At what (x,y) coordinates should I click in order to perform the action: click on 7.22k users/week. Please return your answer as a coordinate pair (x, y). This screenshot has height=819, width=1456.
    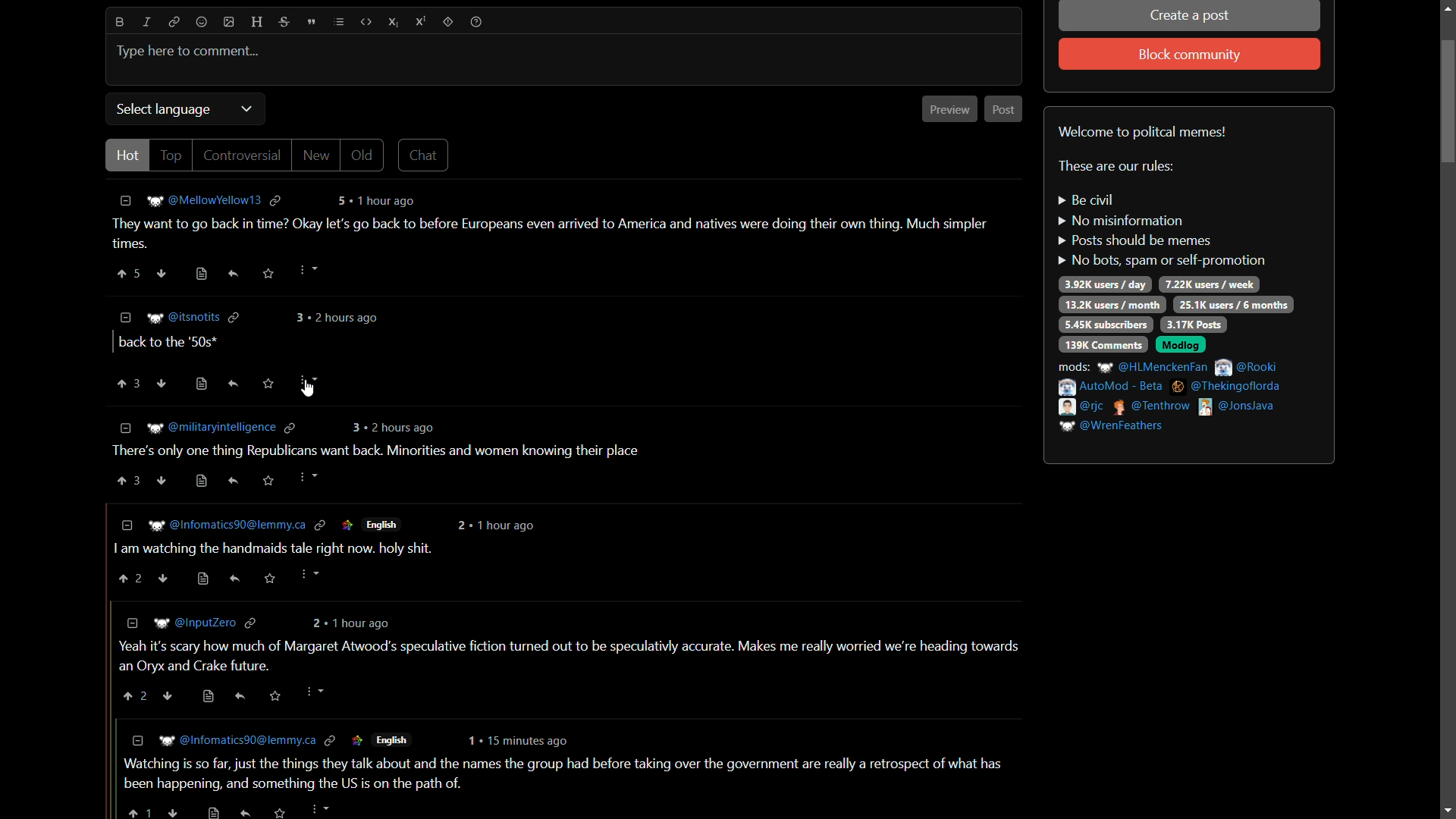
    Looking at the image, I should click on (1209, 285).